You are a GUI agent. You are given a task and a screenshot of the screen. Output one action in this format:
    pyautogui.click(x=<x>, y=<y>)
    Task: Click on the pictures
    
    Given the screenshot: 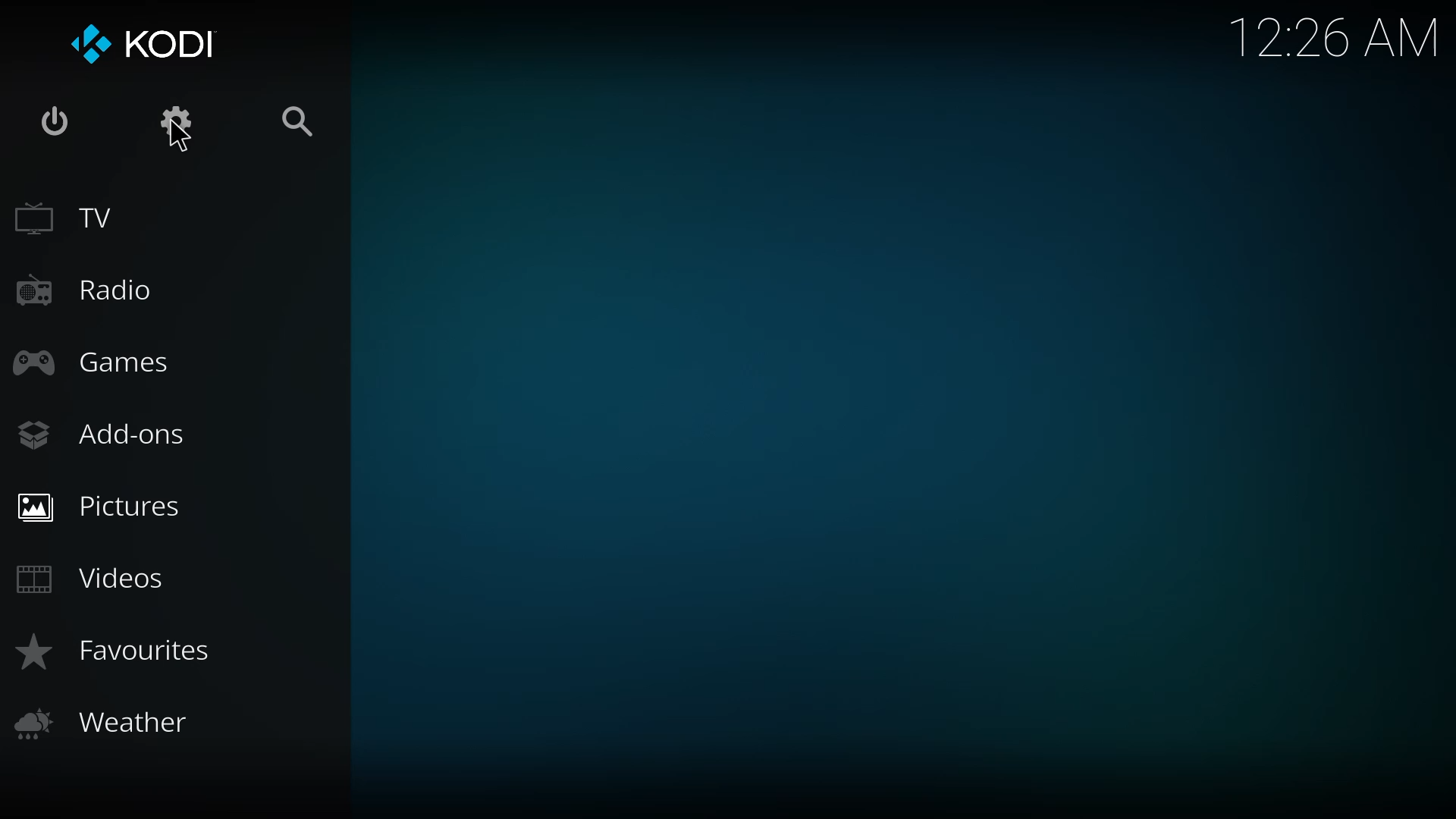 What is the action you would take?
    pyautogui.click(x=106, y=504)
    